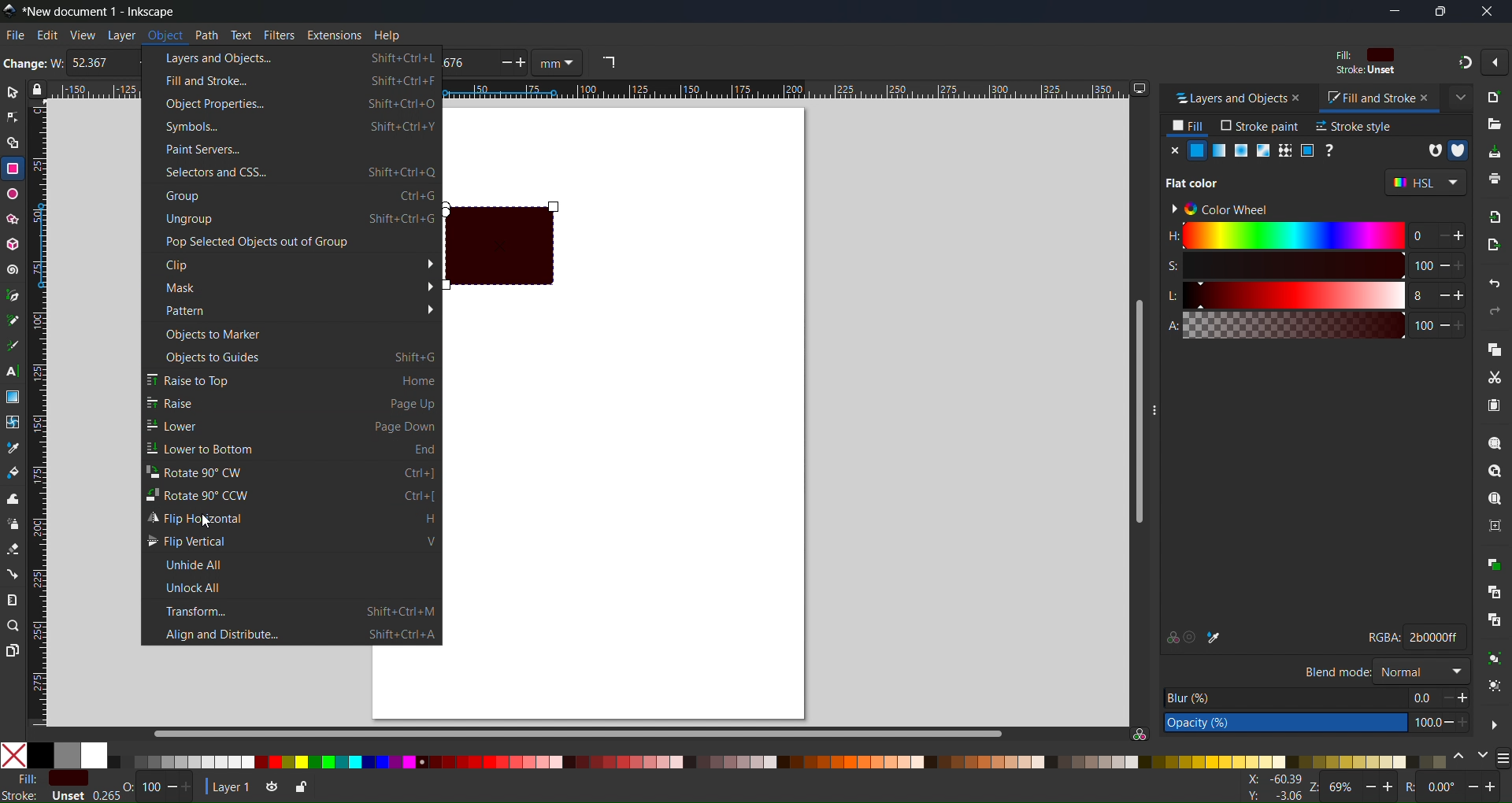 This screenshot has width=1512, height=803. What do you see at coordinates (1467, 723) in the screenshot?
I see `increase opacity` at bounding box center [1467, 723].